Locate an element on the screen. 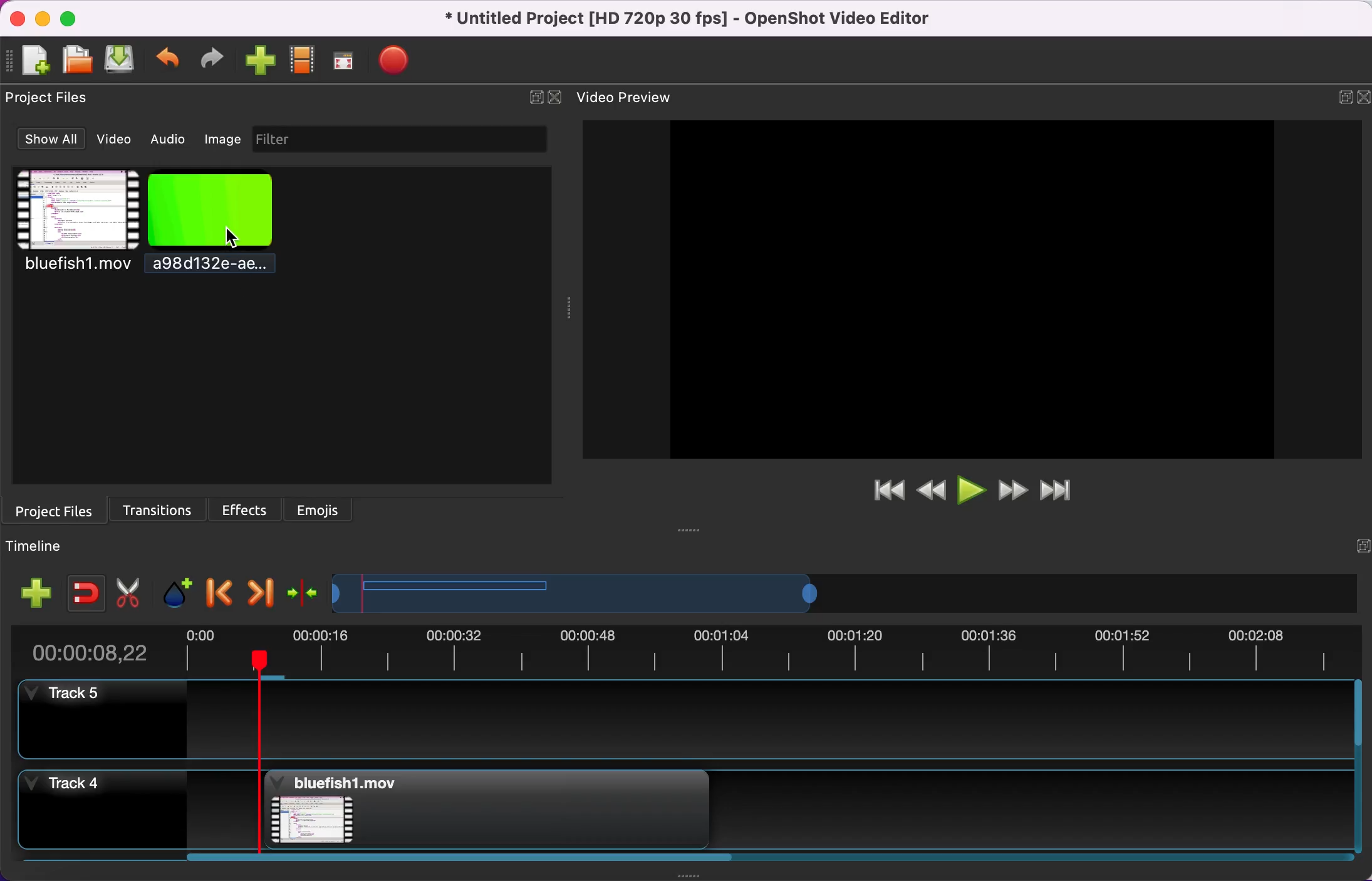 The image size is (1372, 881). close is located at coordinates (1363, 98).